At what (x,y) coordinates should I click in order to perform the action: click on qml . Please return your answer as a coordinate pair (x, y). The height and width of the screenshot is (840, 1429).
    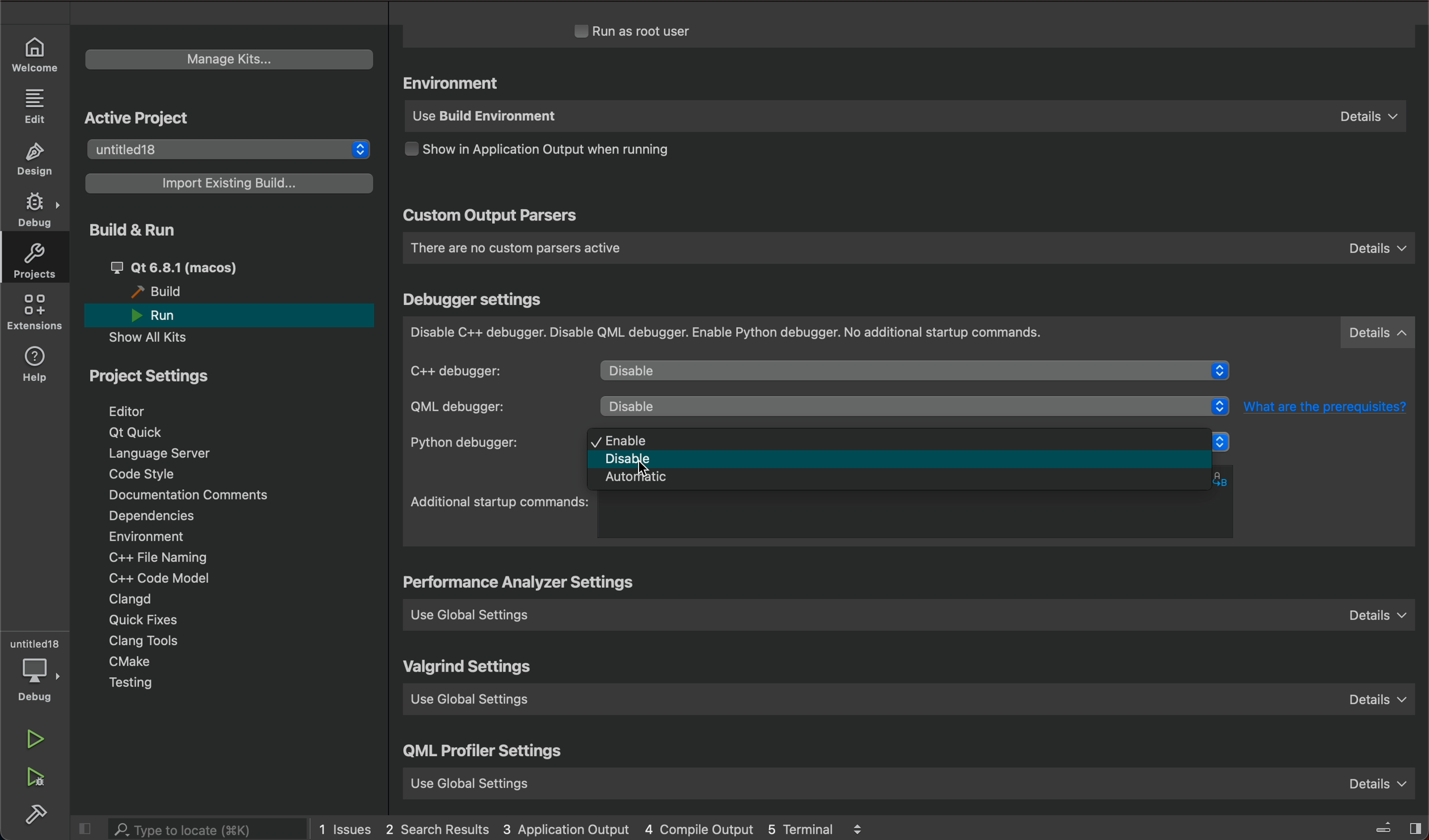
    Looking at the image, I should click on (484, 754).